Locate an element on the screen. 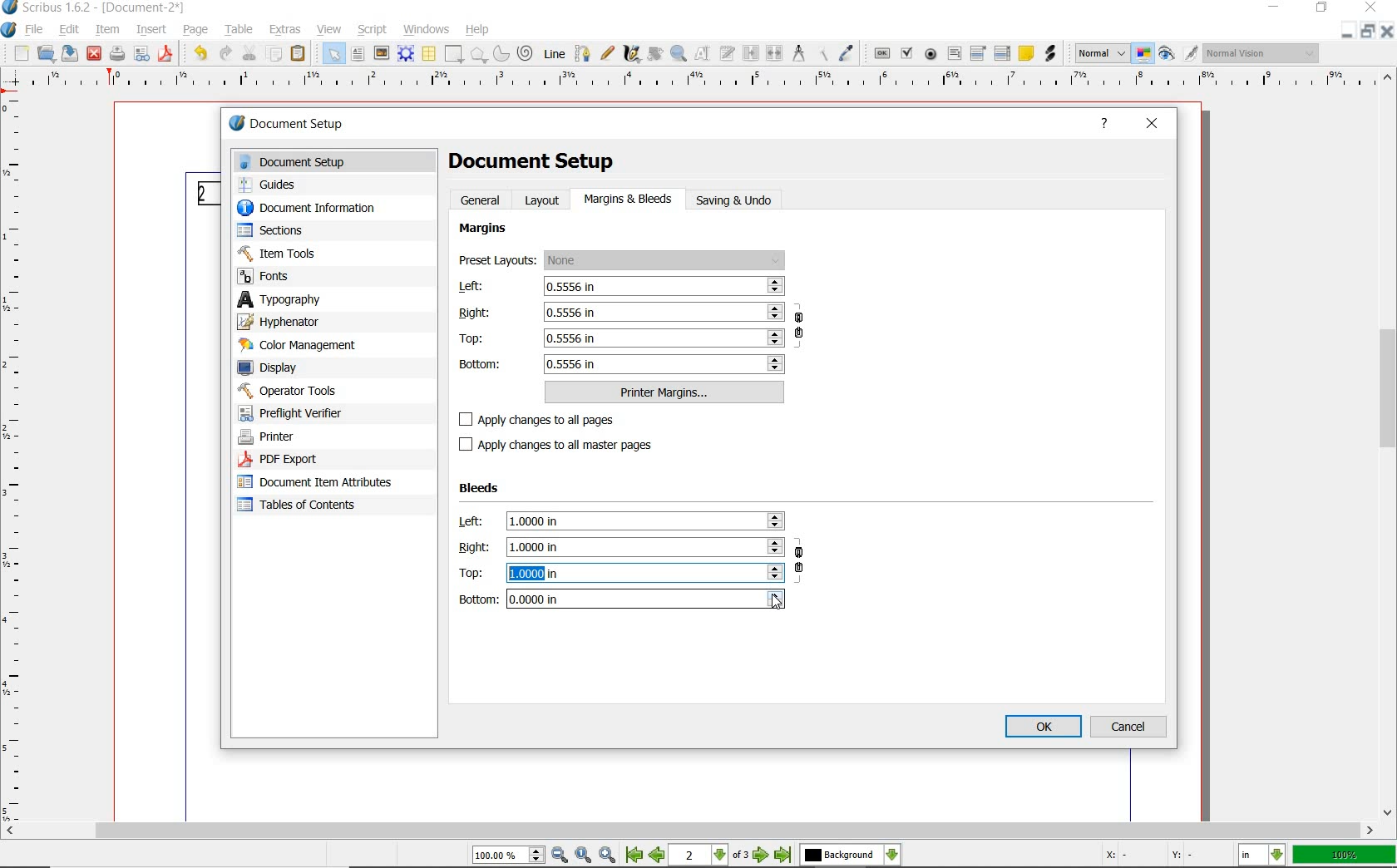  Tables of contents is located at coordinates (308, 506).